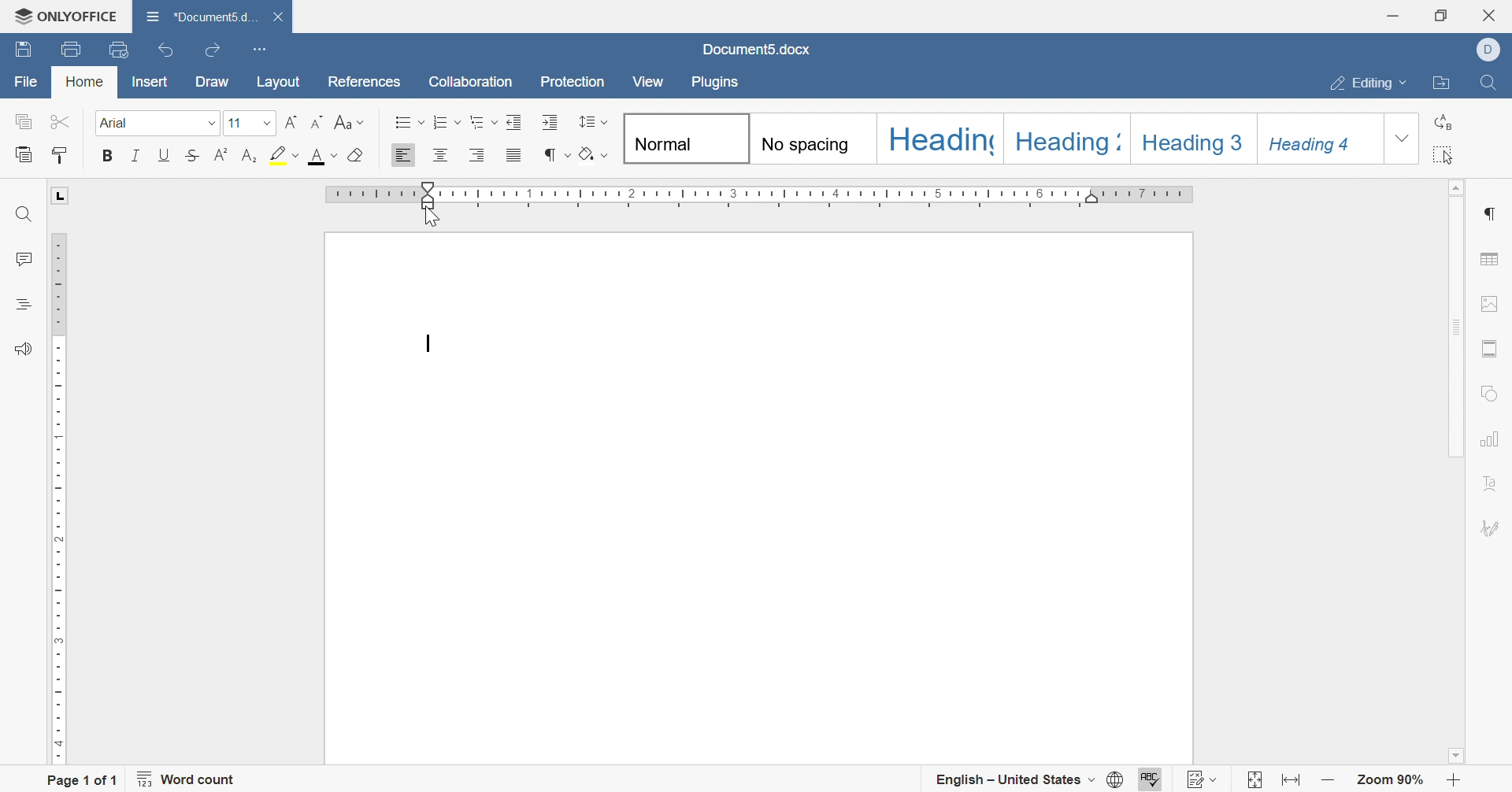 This screenshot has width=1512, height=792. I want to click on feedback and support, so click(22, 350).